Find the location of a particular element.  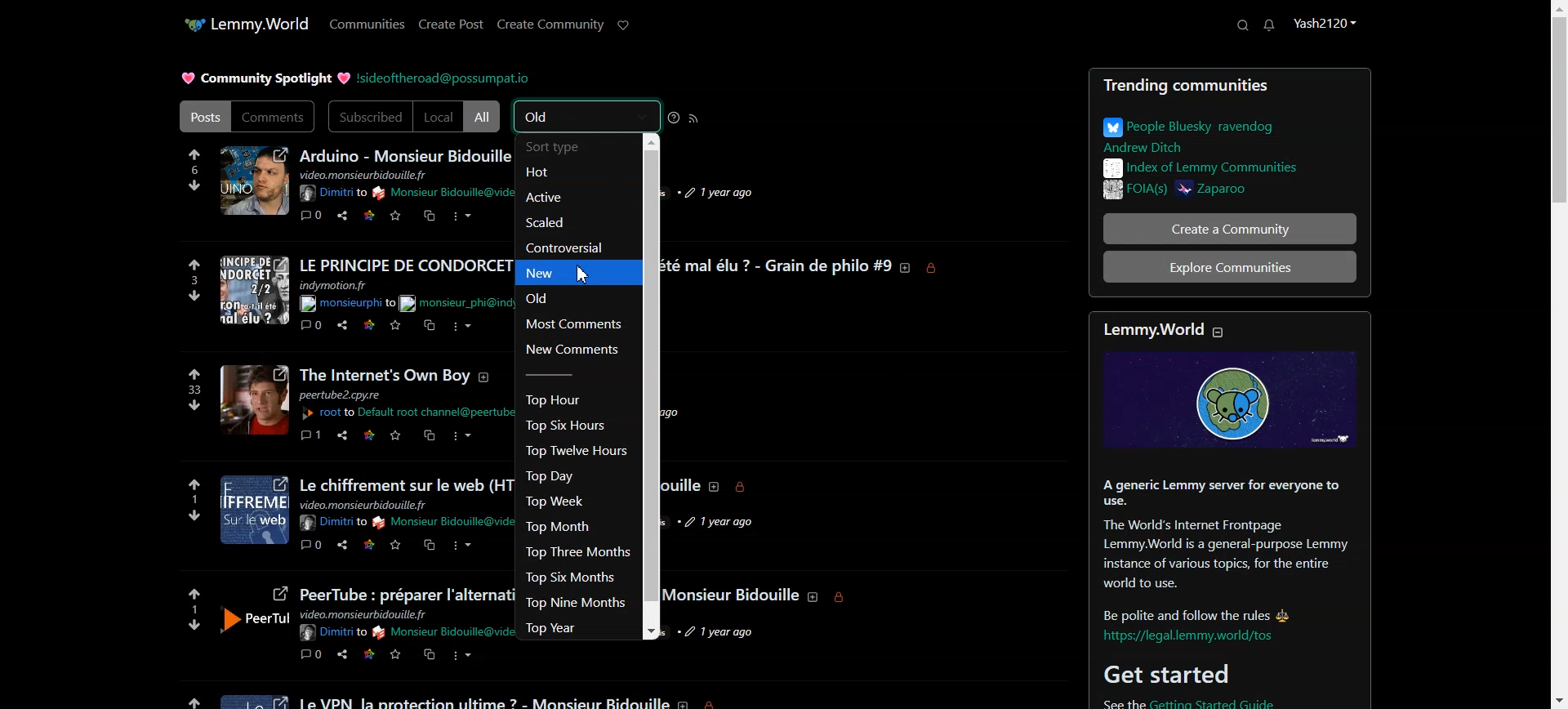

 is located at coordinates (395, 435).